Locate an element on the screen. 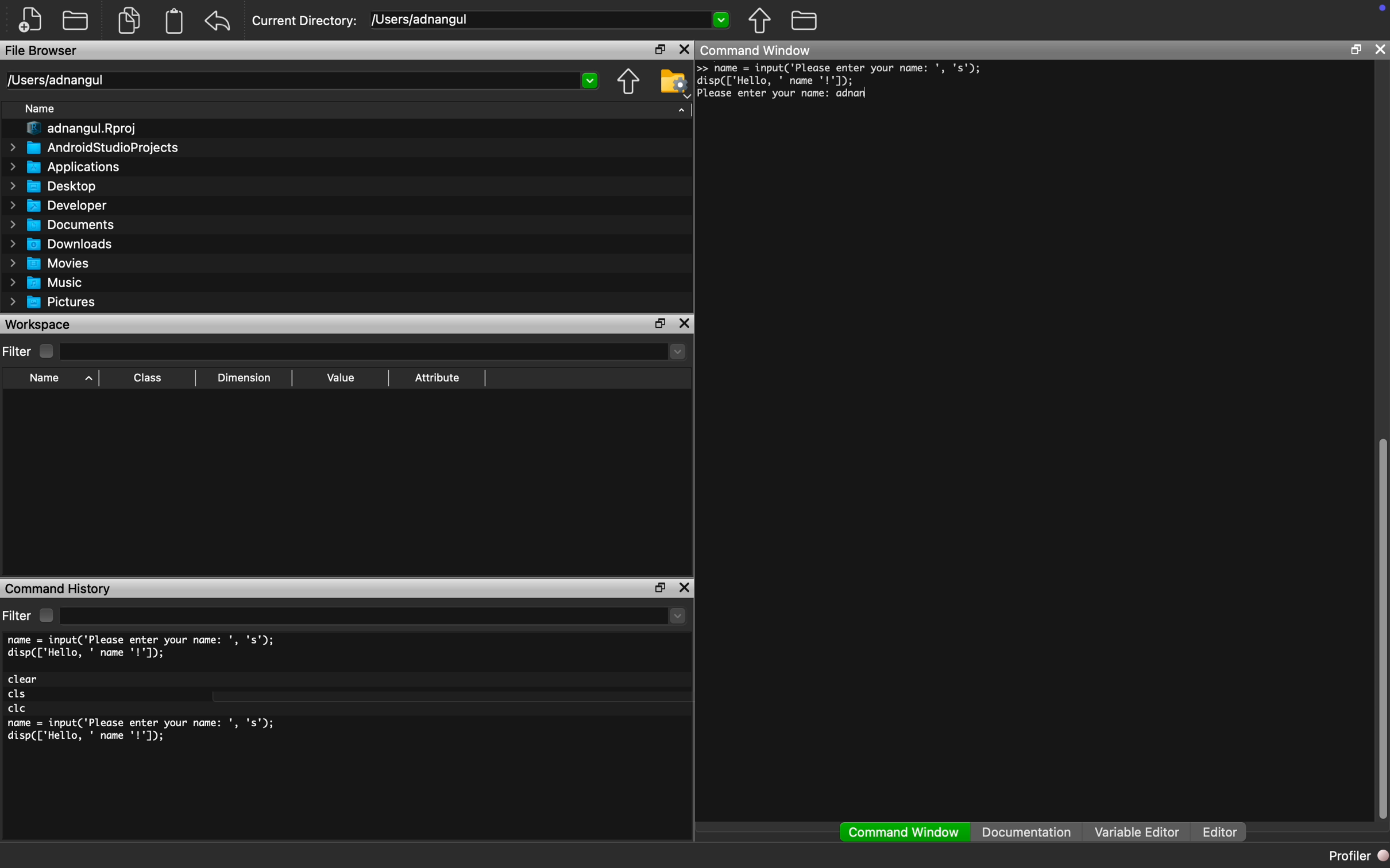 This screenshot has height=868, width=1390. folder is located at coordinates (805, 20).